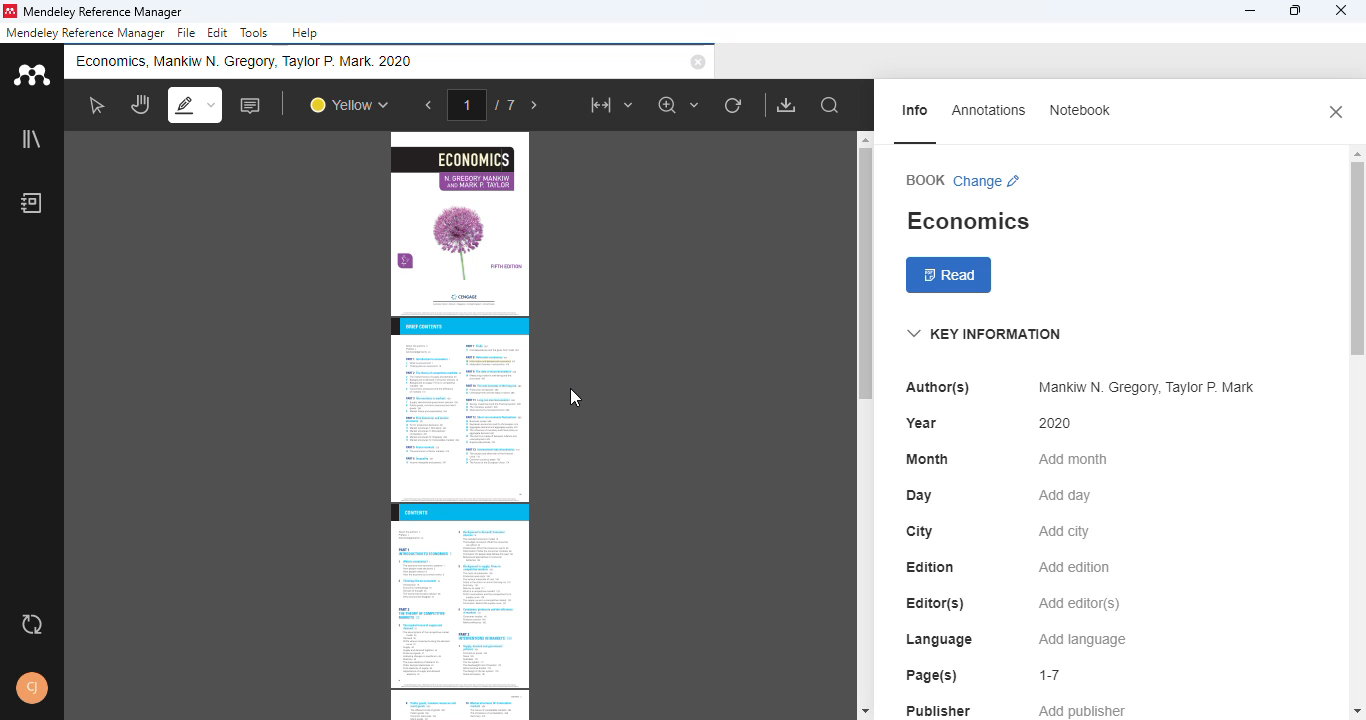 This screenshot has width=1366, height=720. I want to click on economics, so click(967, 221).